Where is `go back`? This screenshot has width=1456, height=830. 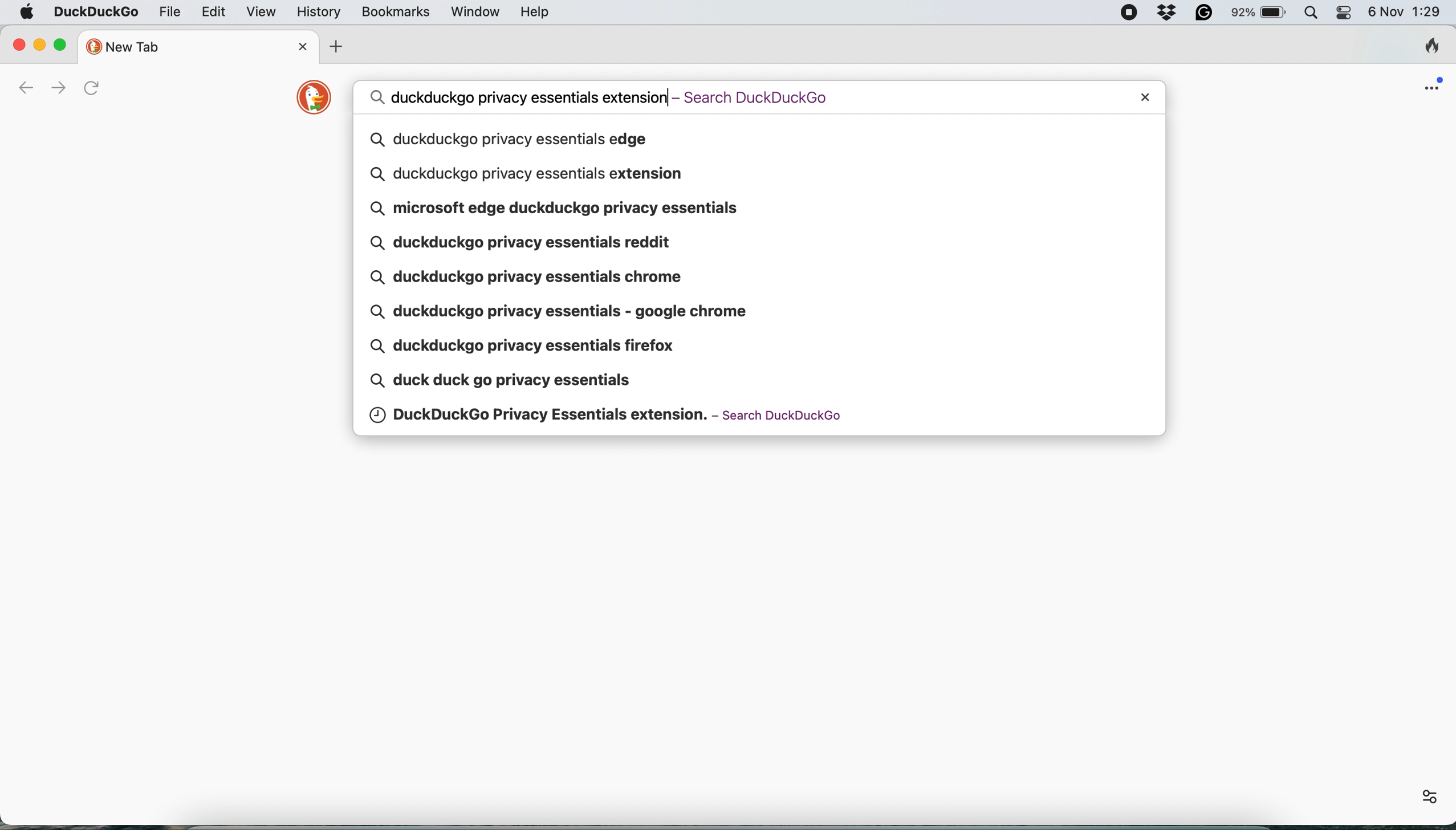
go back is located at coordinates (25, 88).